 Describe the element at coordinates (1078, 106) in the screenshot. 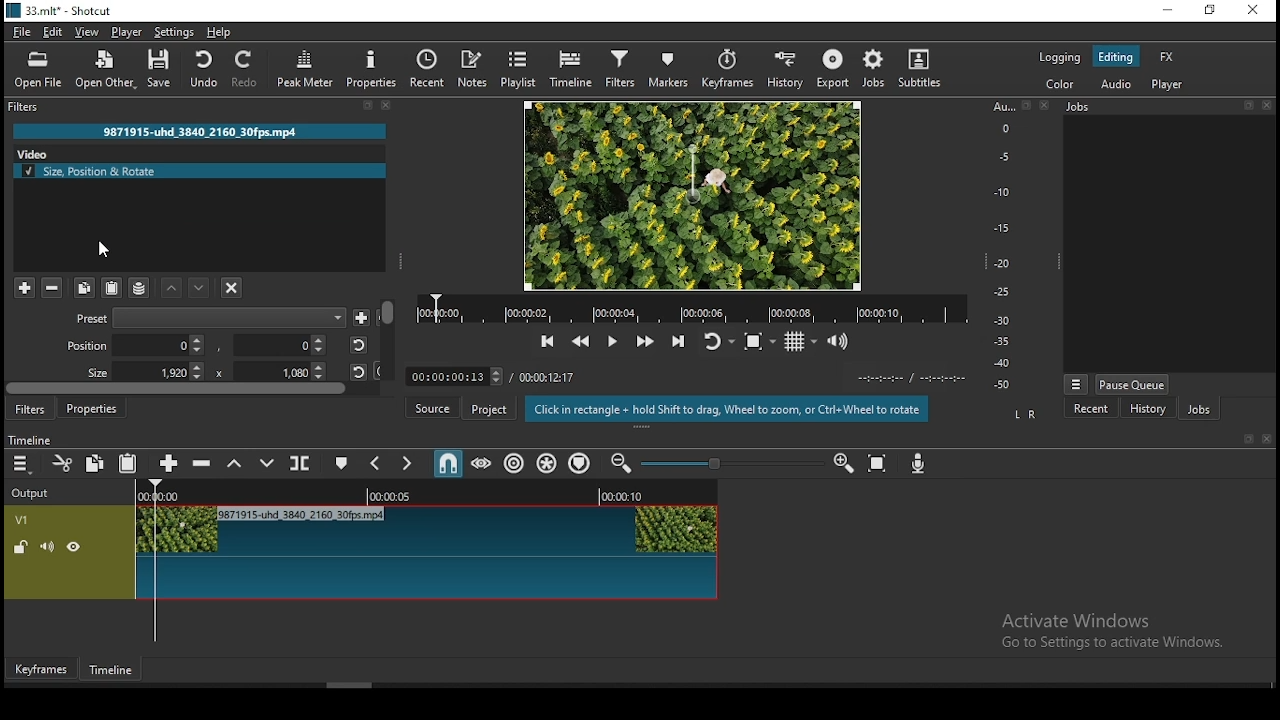

I see `` at that location.